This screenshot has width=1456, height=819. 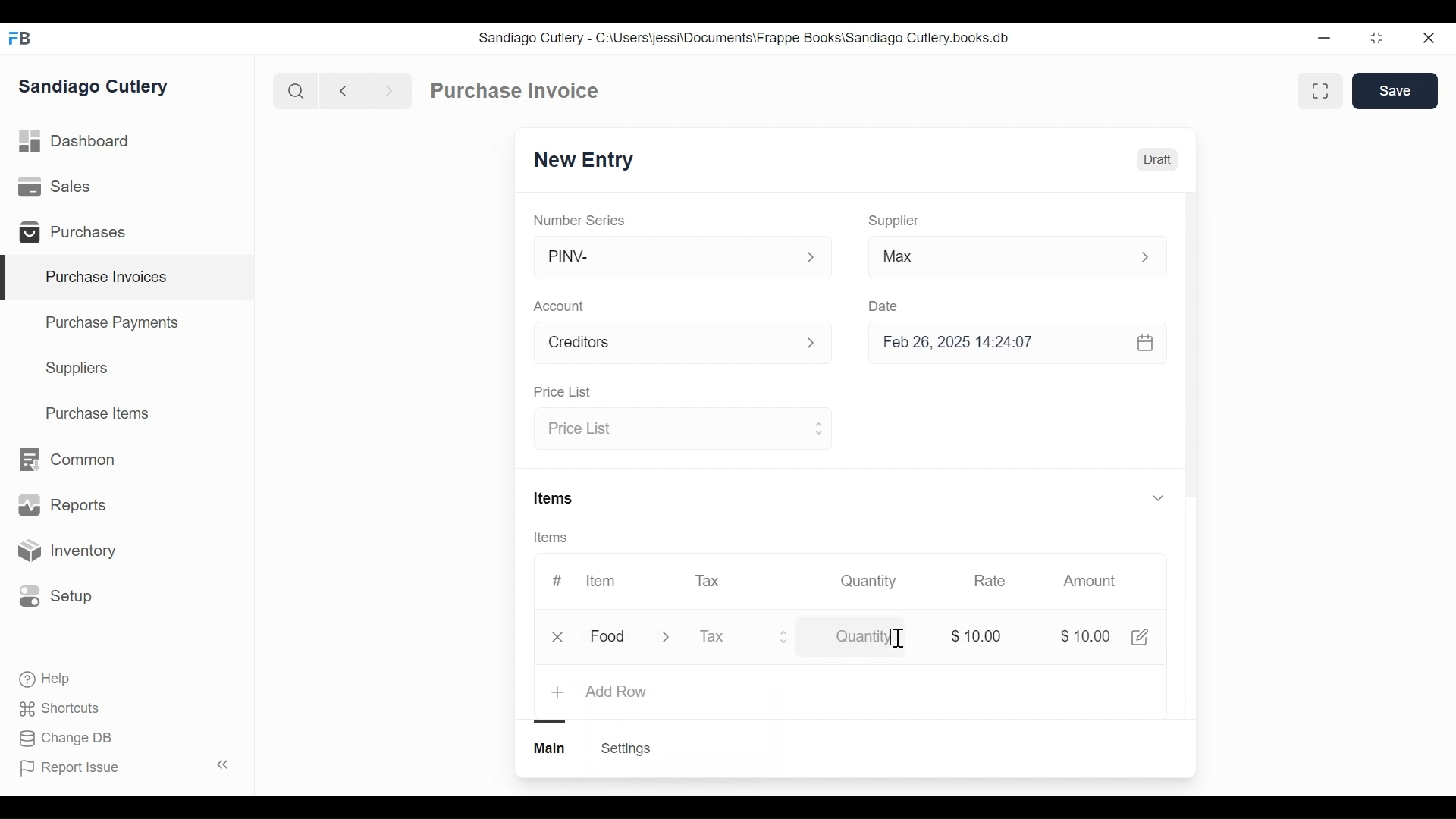 What do you see at coordinates (872, 635) in the screenshot?
I see `Quantity` at bounding box center [872, 635].